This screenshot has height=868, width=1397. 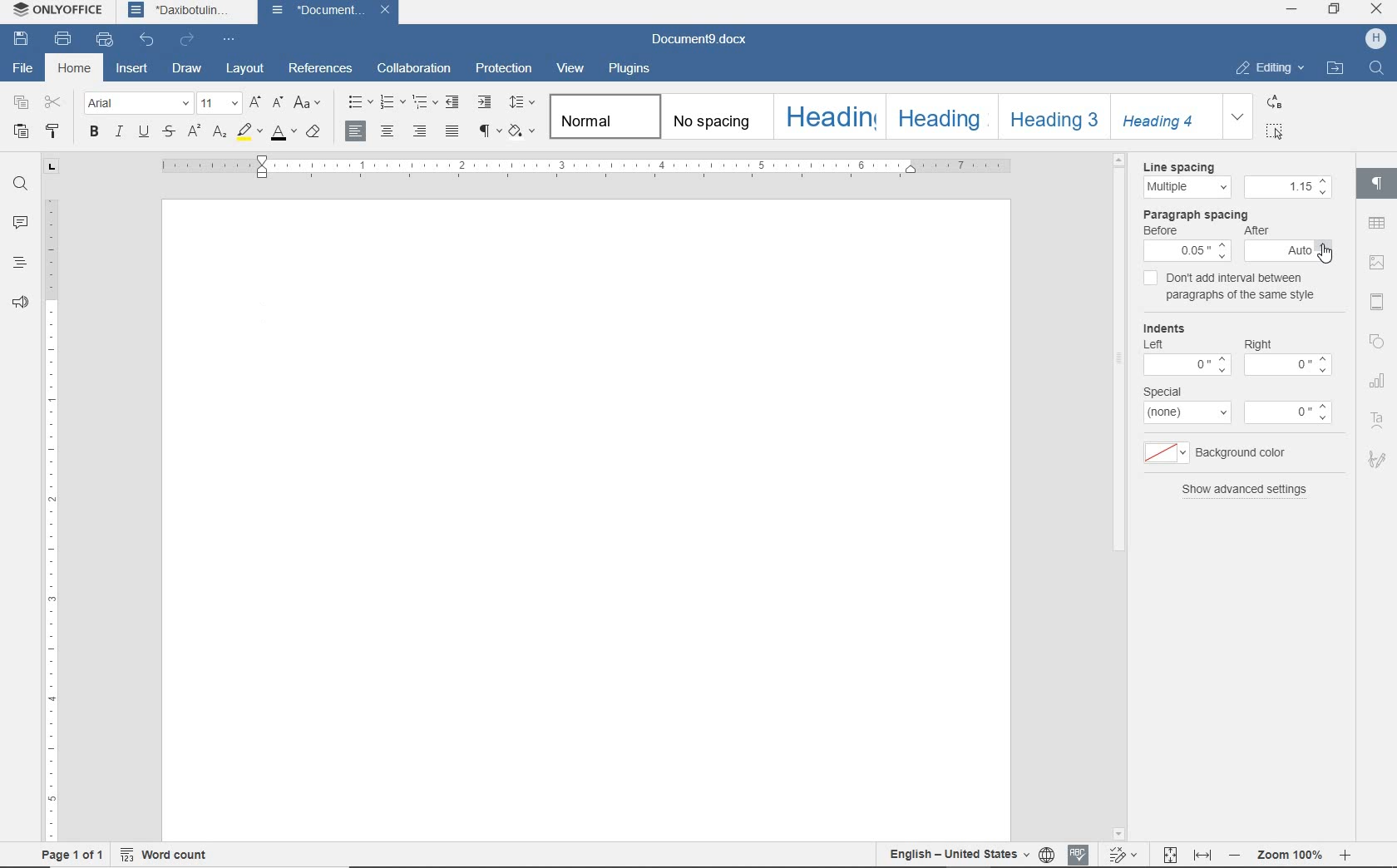 What do you see at coordinates (315, 132) in the screenshot?
I see `clear style` at bounding box center [315, 132].